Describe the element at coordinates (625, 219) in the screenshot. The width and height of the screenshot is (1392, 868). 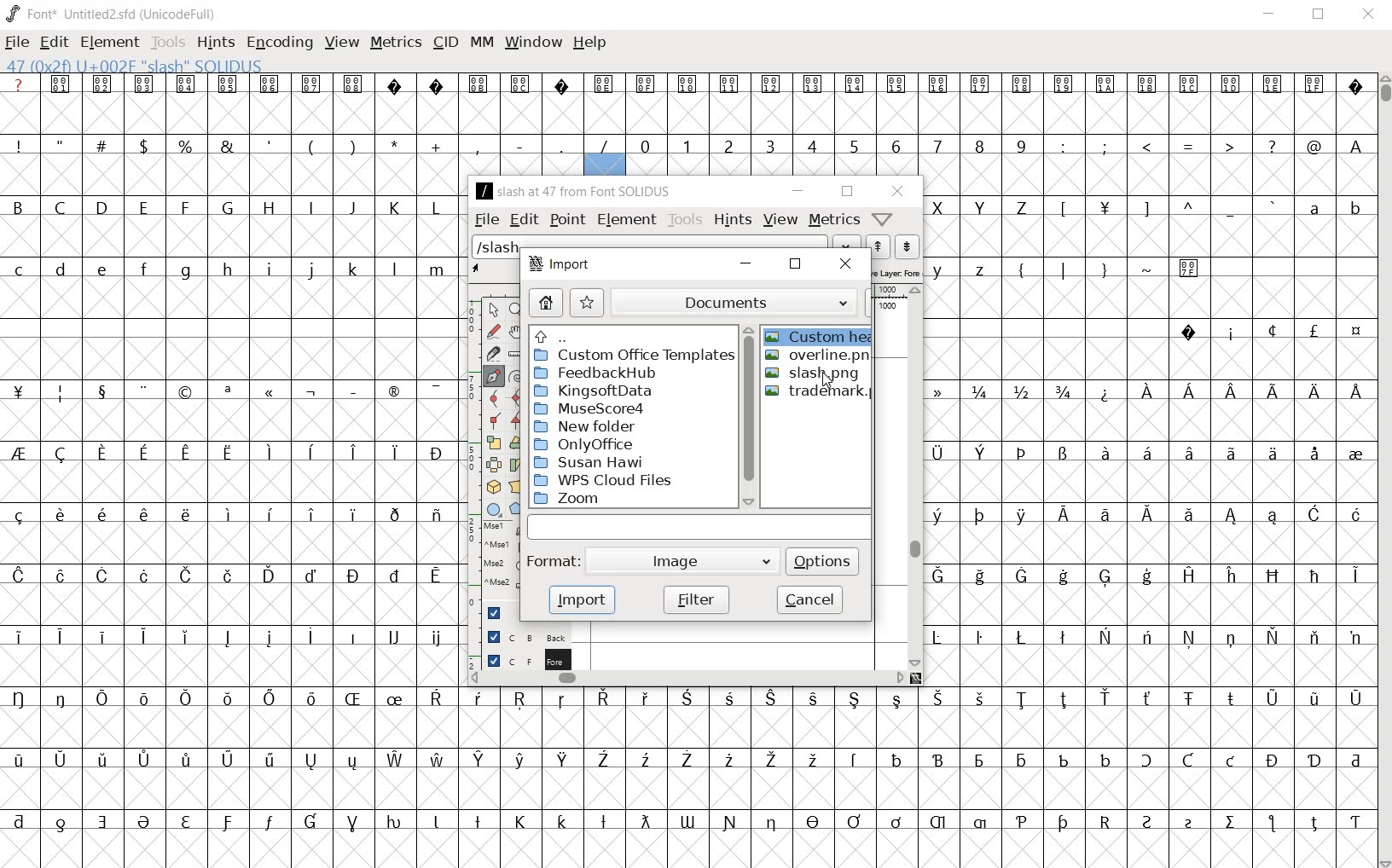
I see `element` at that location.